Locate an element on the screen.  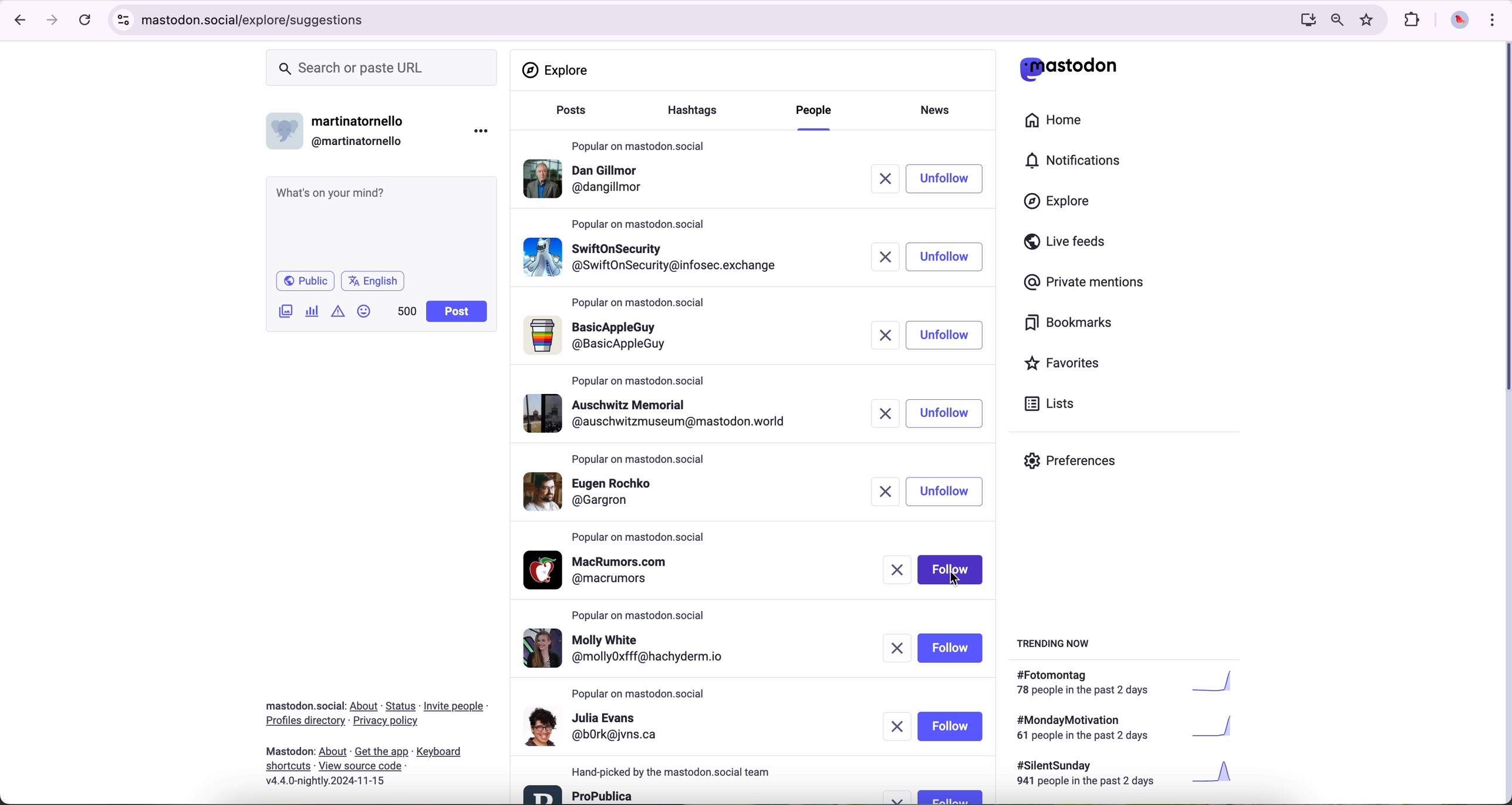
profile is located at coordinates (654, 254).